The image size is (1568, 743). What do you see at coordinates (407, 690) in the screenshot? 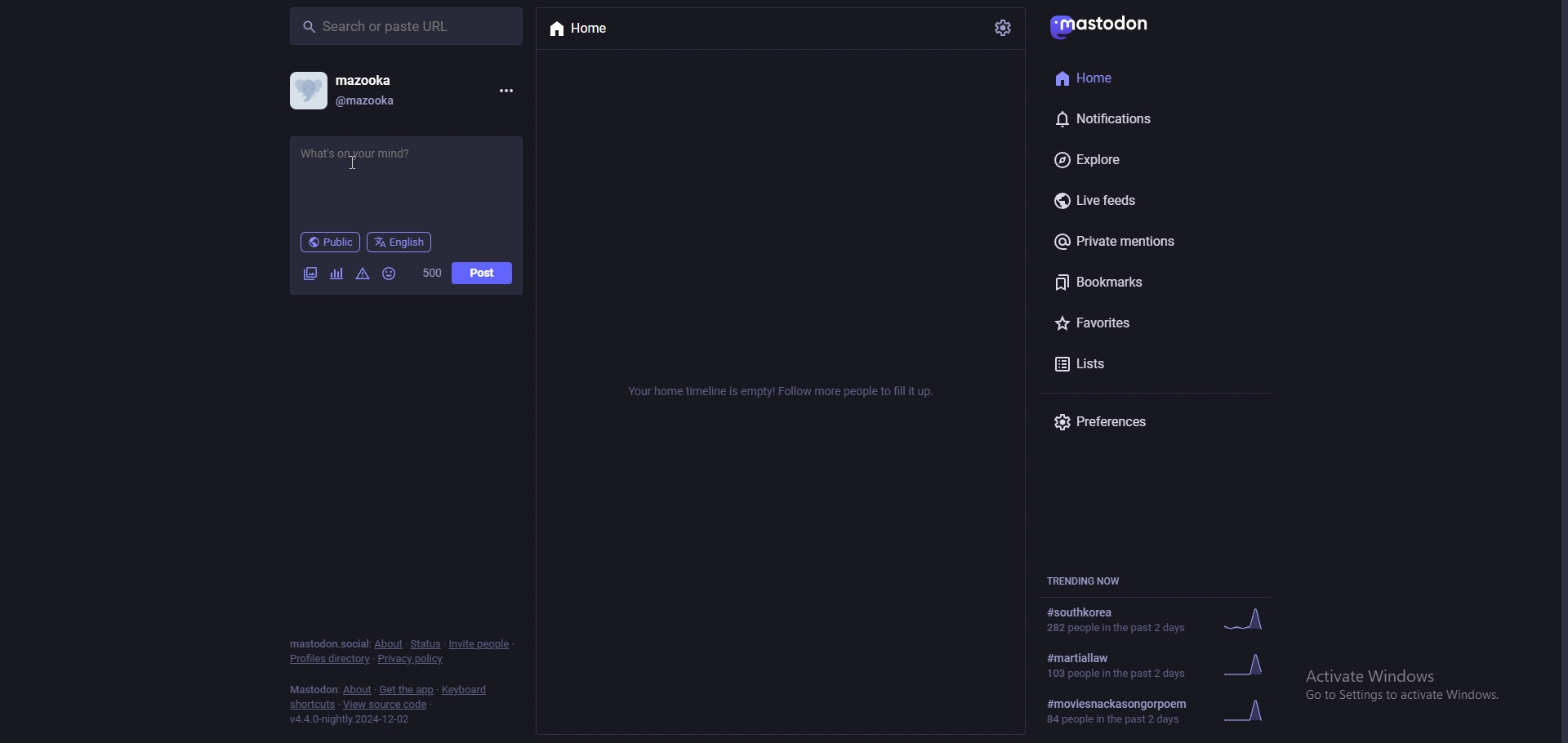
I see `get the app` at bounding box center [407, 690].